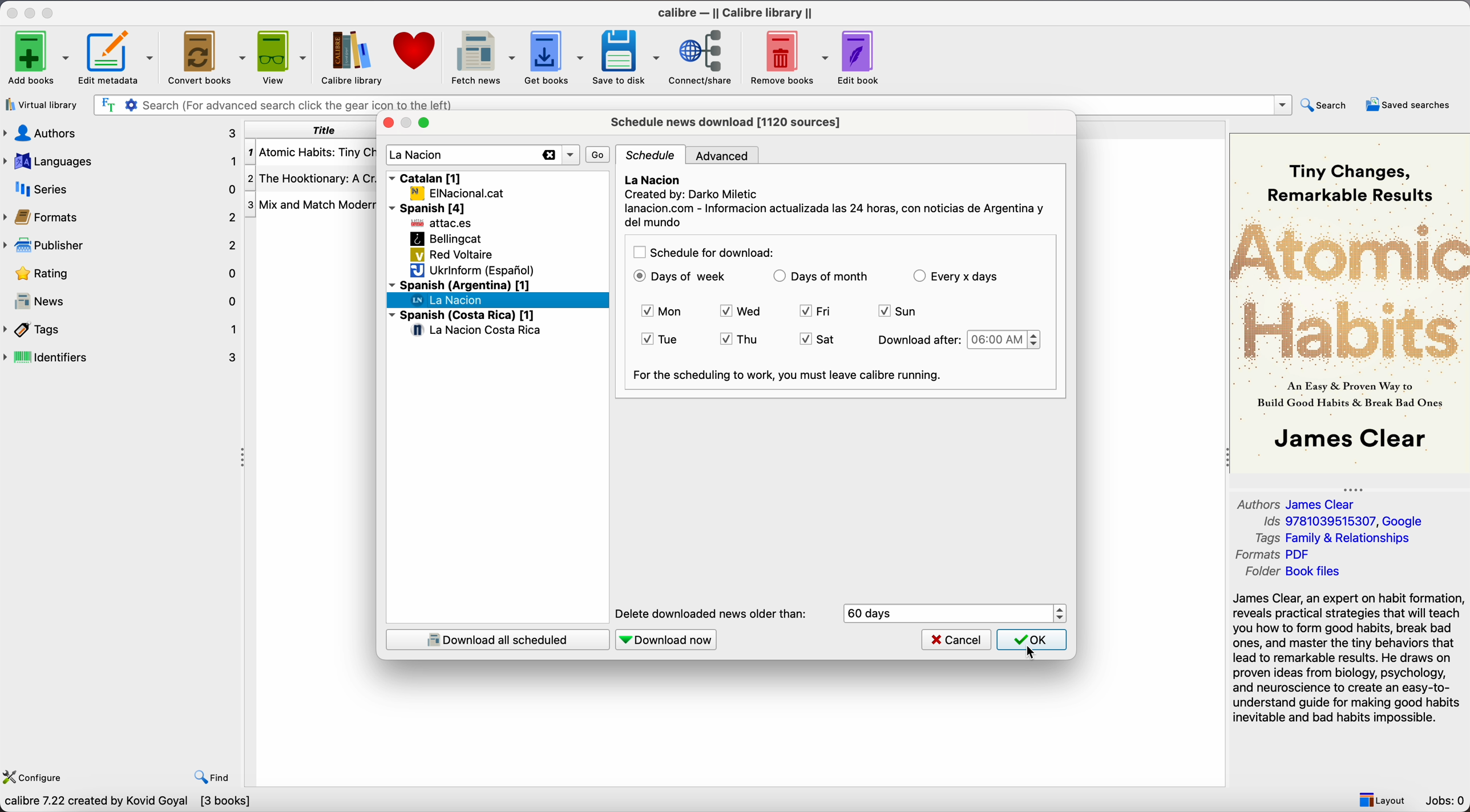  I want to click on Delete downloaded news older than:, so click(710, 614).